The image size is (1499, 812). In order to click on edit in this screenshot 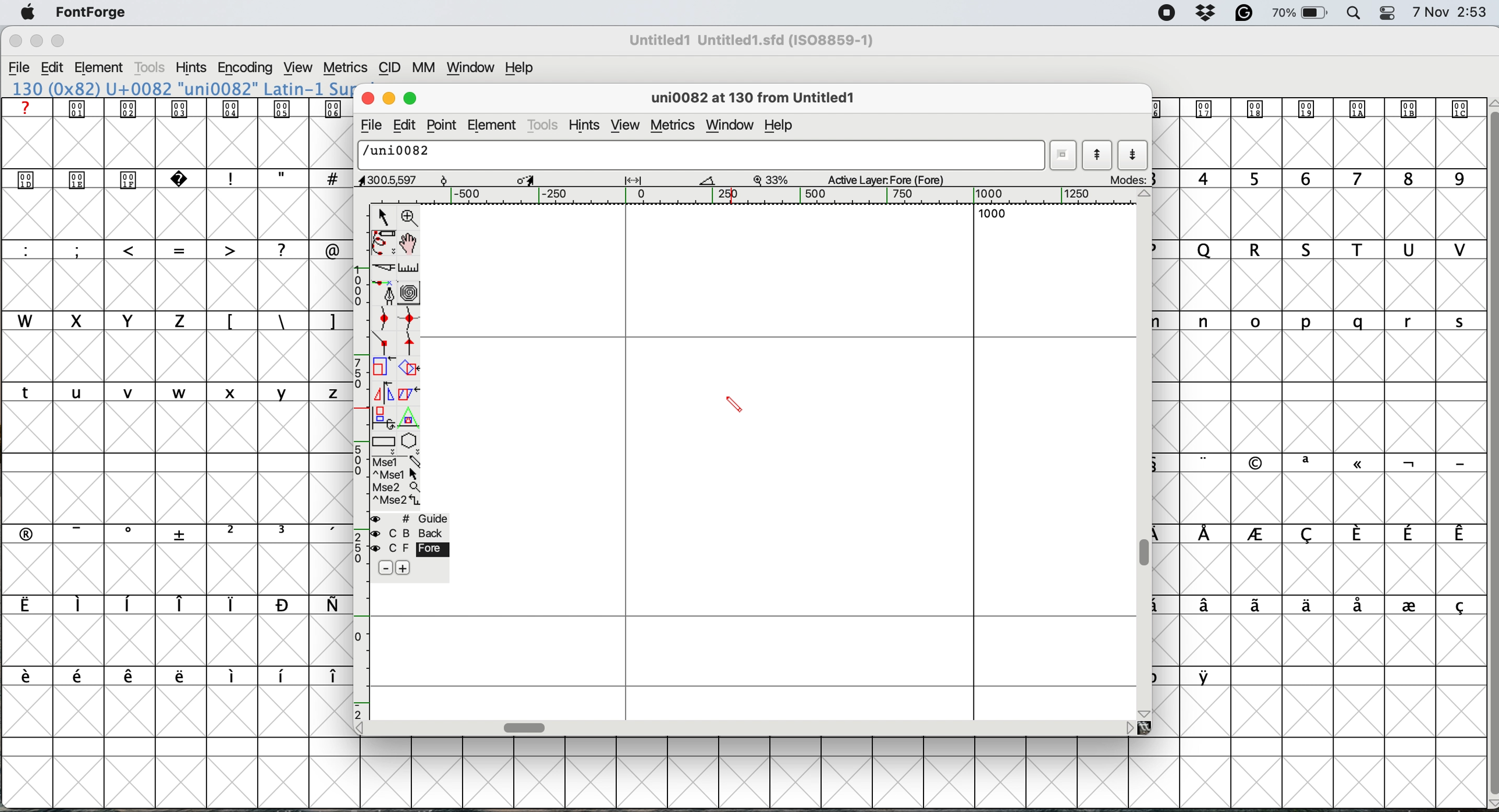, I will do `click(407, 125)`.